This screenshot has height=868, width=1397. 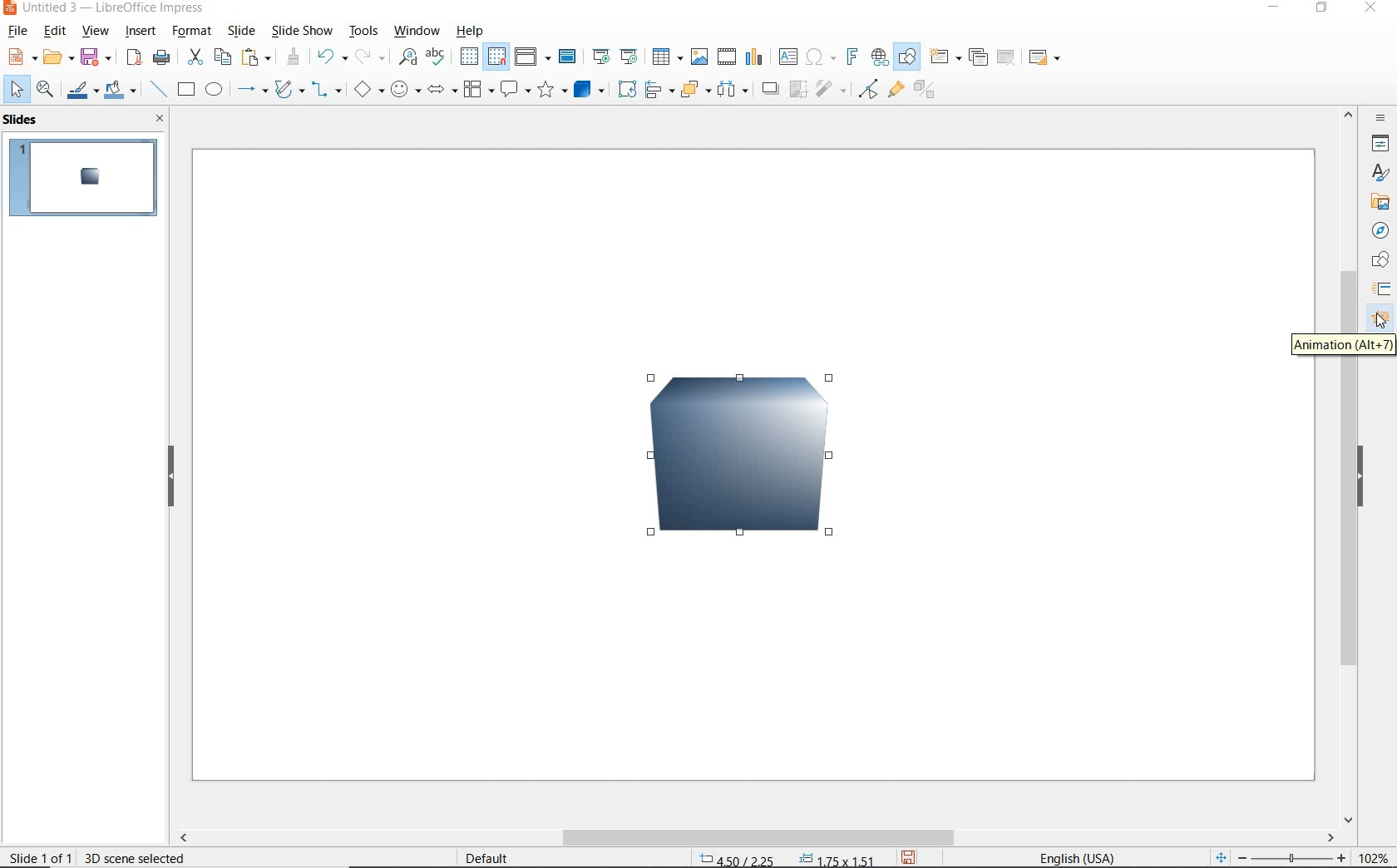 I want to click on duplicate slide, so click(x=978, y=57).